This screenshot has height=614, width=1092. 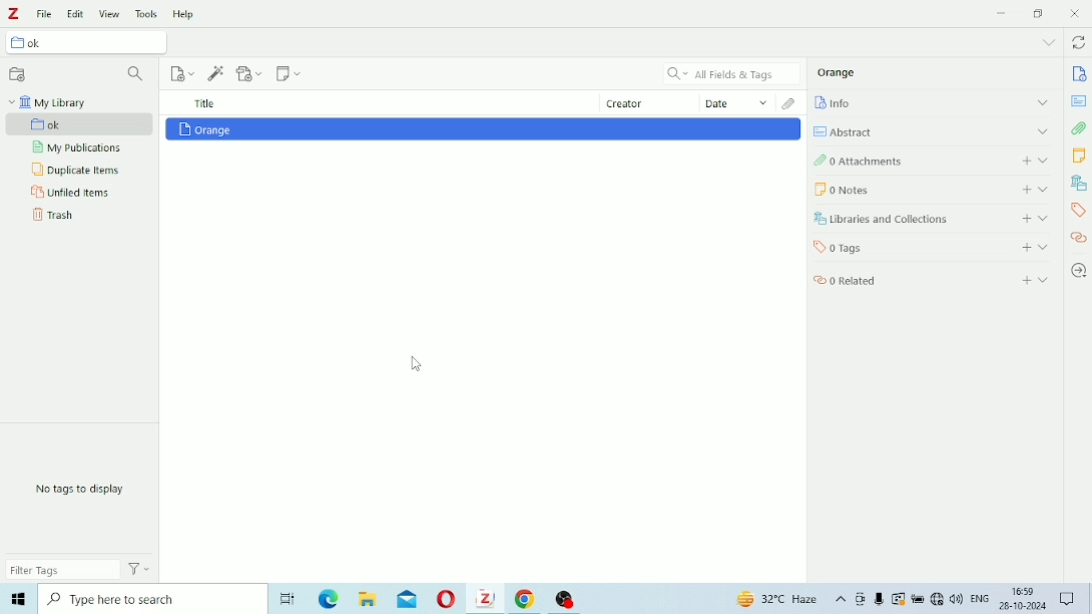 I want to click on New Note, so click(x=289, y=73).